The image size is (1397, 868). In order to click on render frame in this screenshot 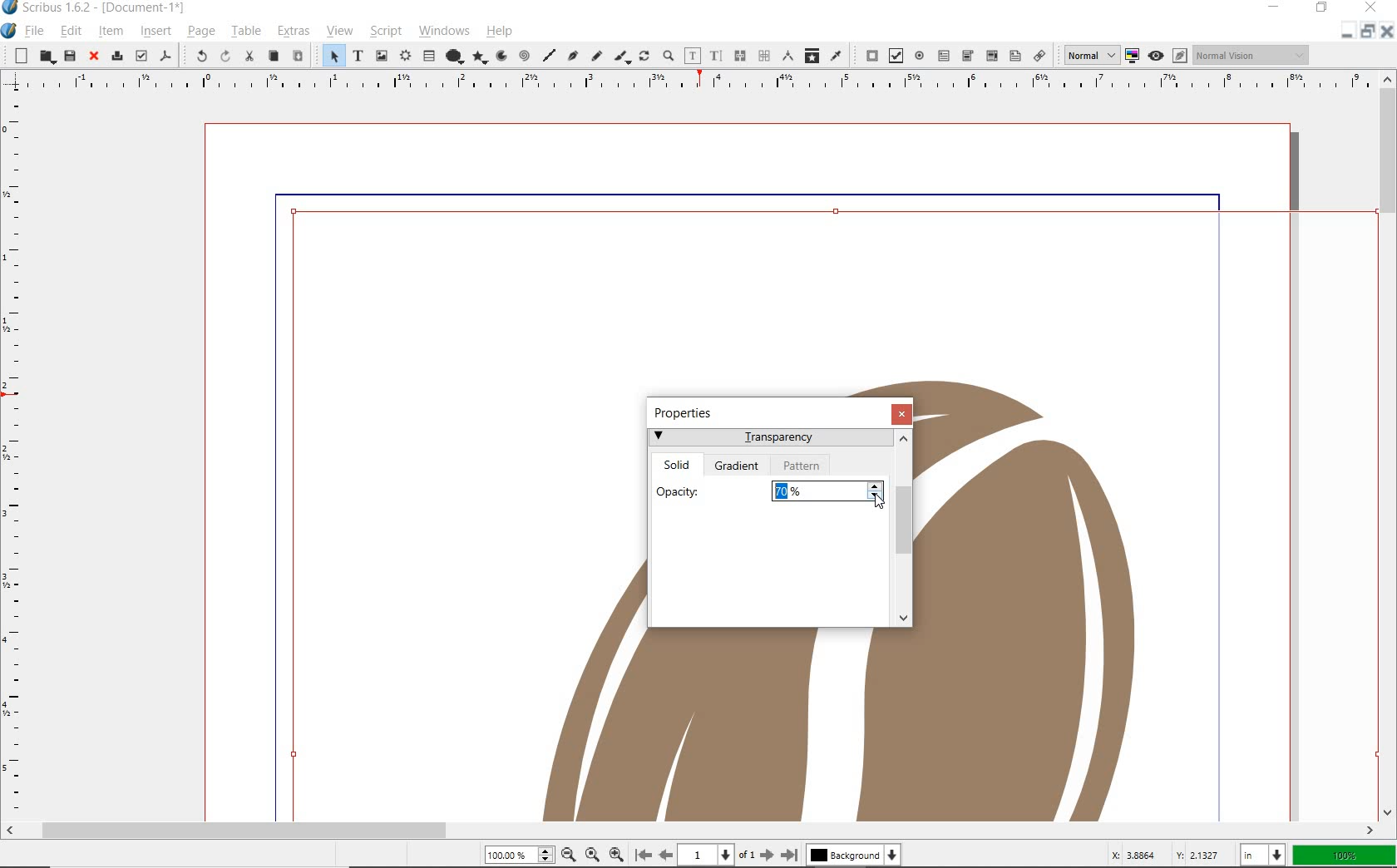, I will do `click(403, 57)`.